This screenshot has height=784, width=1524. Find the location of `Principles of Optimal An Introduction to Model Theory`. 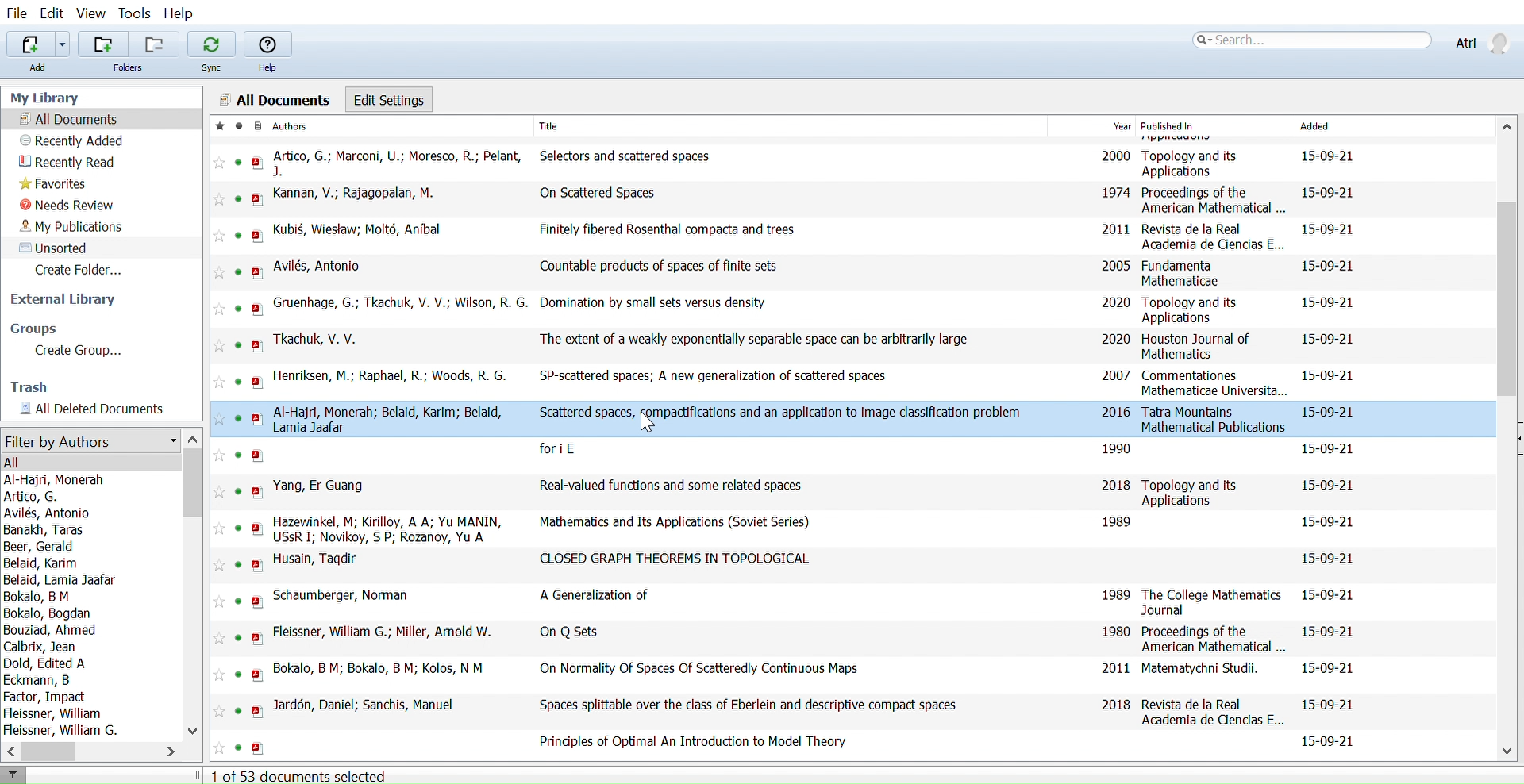

Principles of Optimal An Introduction to Model Theory is located at coordinates (680, 742).